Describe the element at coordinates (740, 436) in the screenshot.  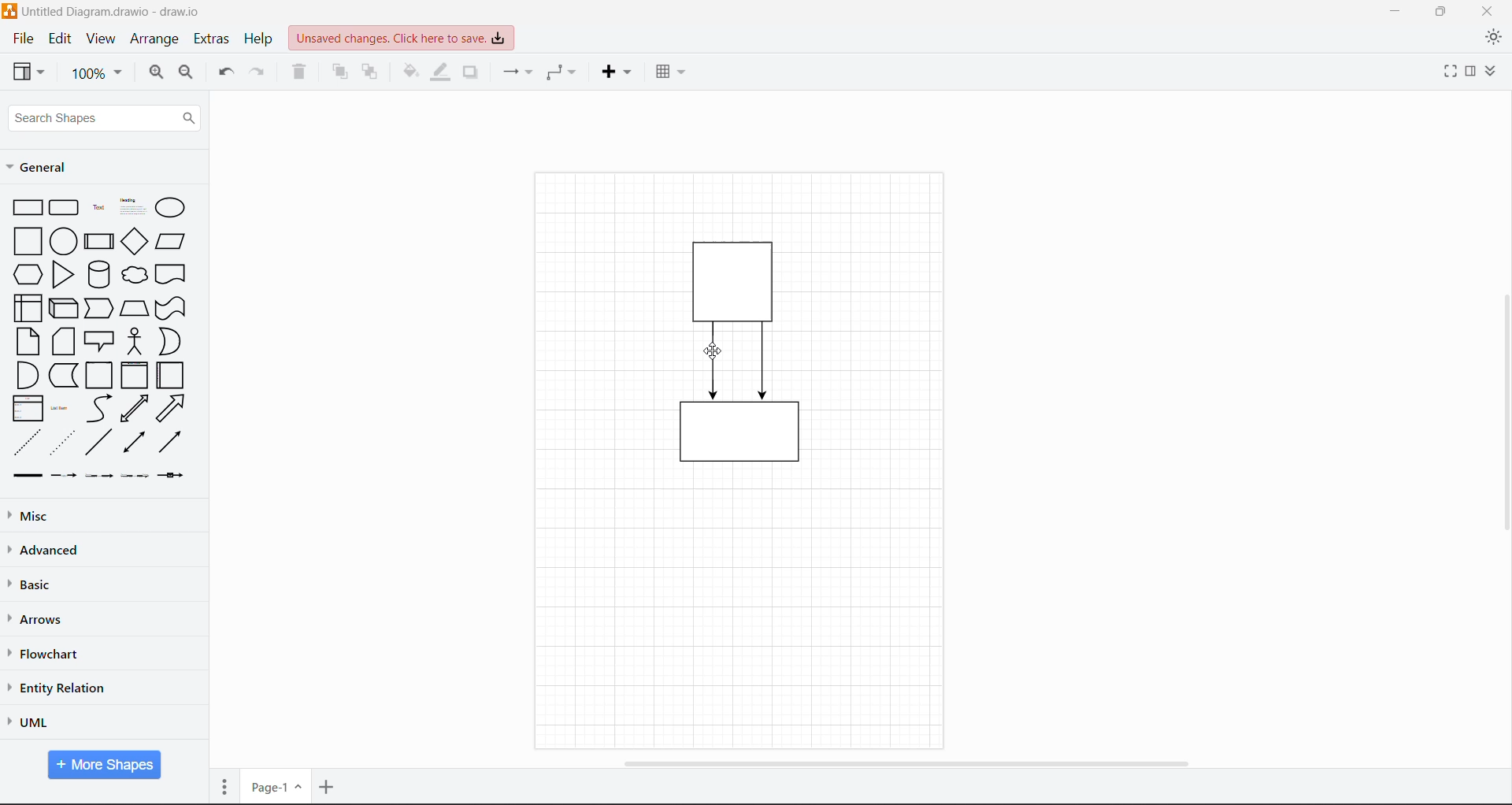
I see `container` at that location.